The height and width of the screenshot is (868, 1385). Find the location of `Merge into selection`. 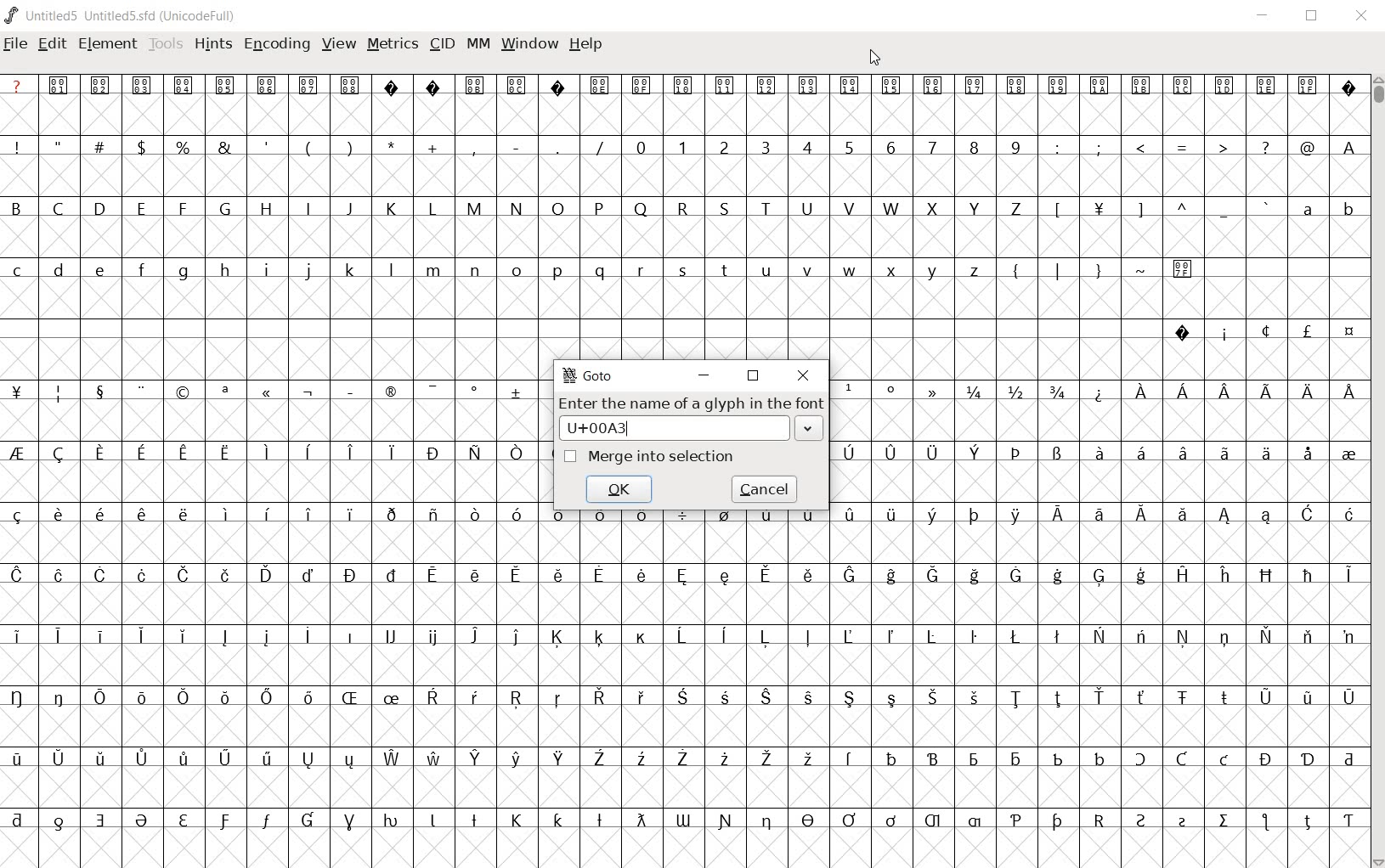

Merge into selection is located at coordinates (662, 456).